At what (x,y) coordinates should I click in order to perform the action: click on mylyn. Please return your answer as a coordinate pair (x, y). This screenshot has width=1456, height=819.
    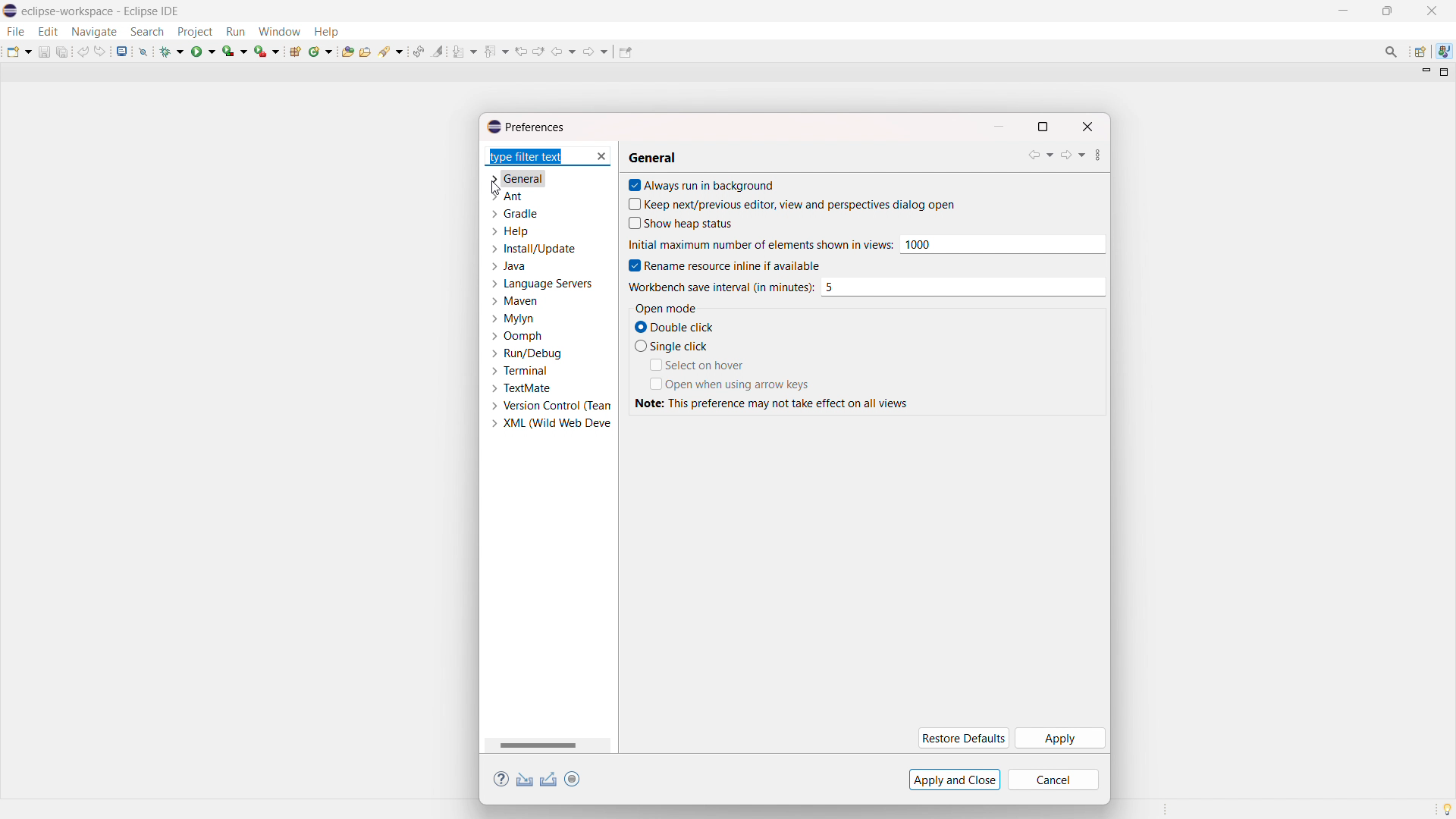
    Looking at the image, I should click on (513, 318).